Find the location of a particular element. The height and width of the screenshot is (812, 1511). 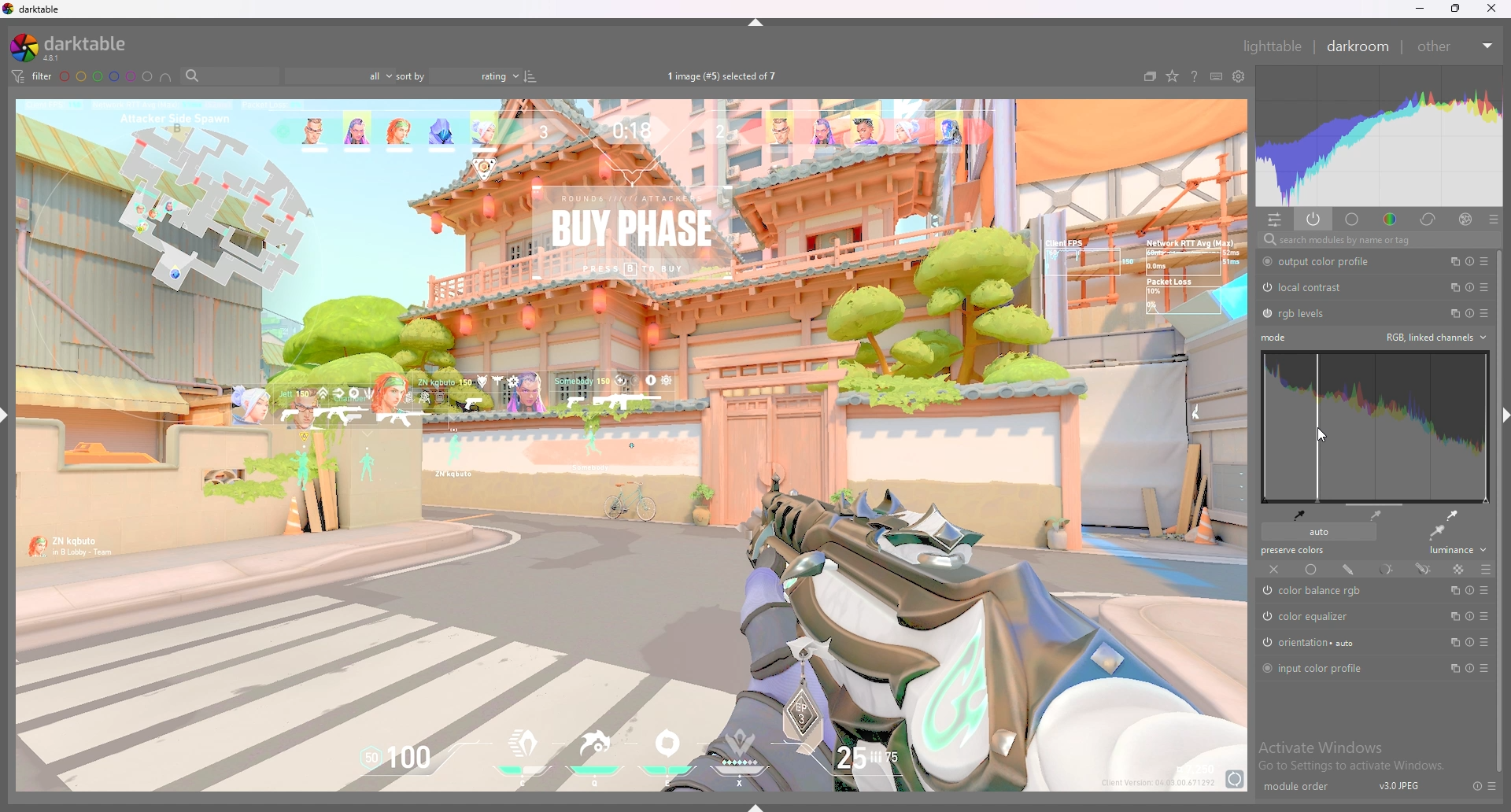

rgb linked channels is located at coordinates (1435, 337).